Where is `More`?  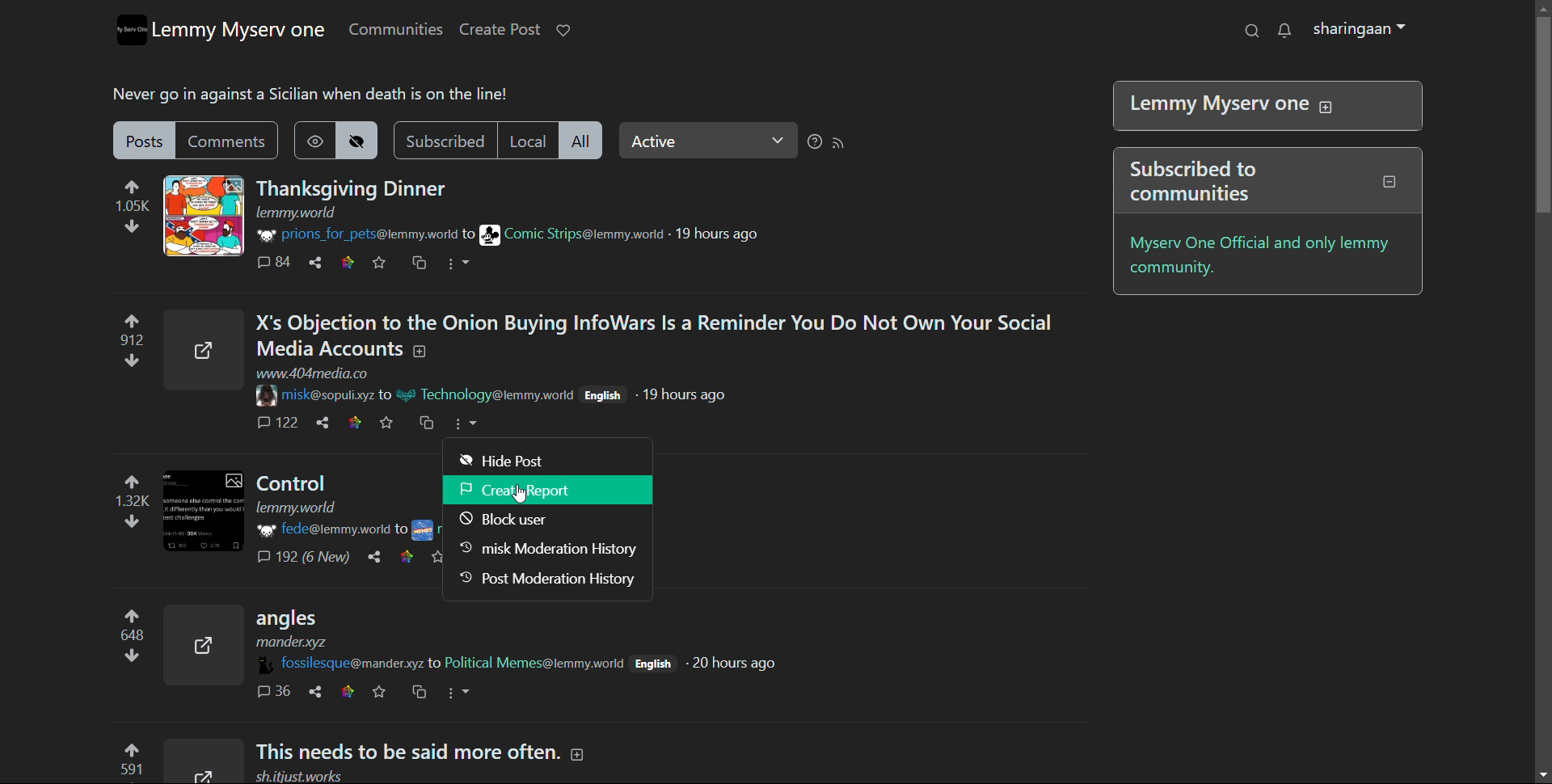
More is located at coordinates (473, 423).